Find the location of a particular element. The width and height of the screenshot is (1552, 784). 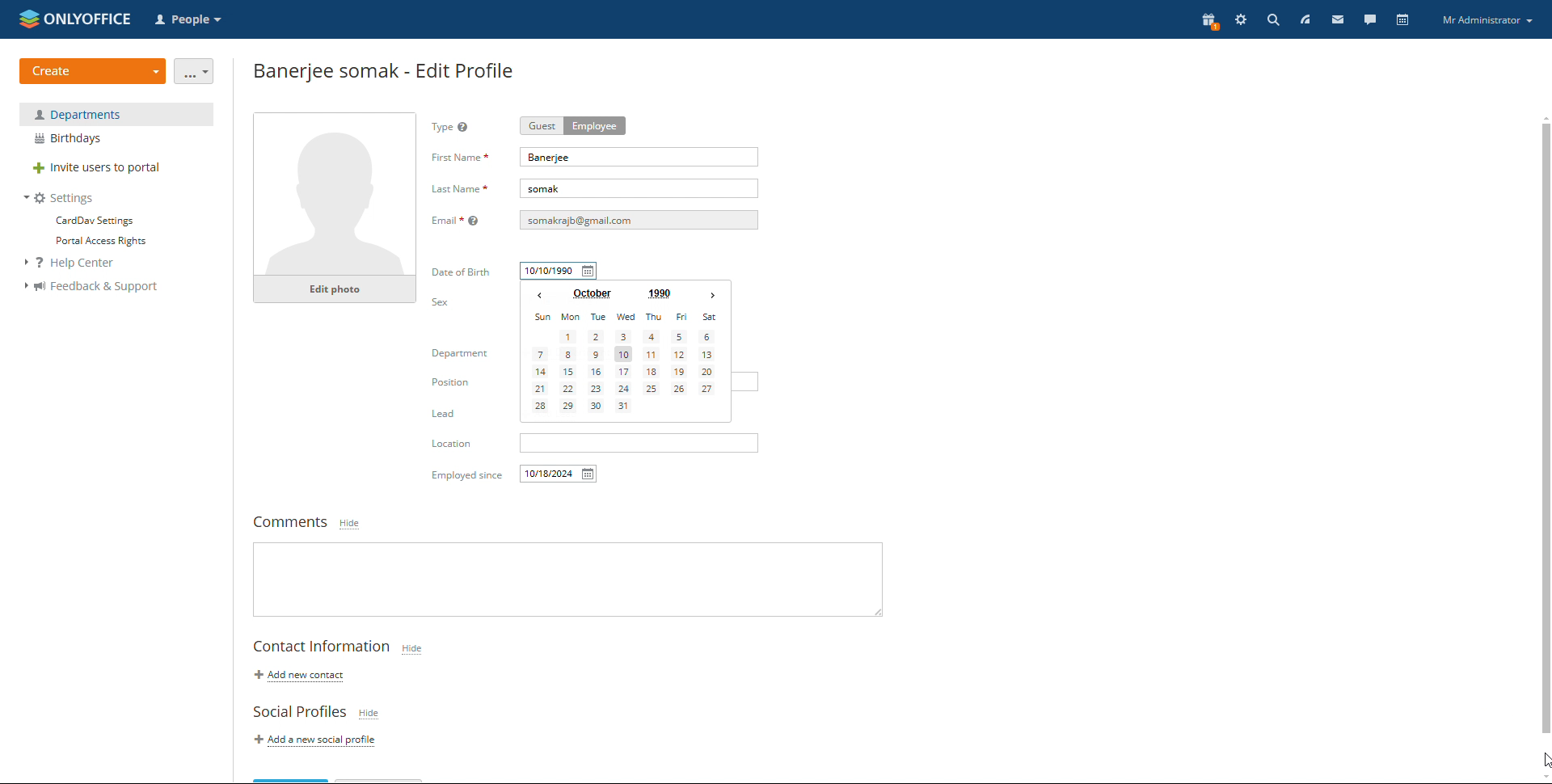

profile is located at coordinates (1487, 21).